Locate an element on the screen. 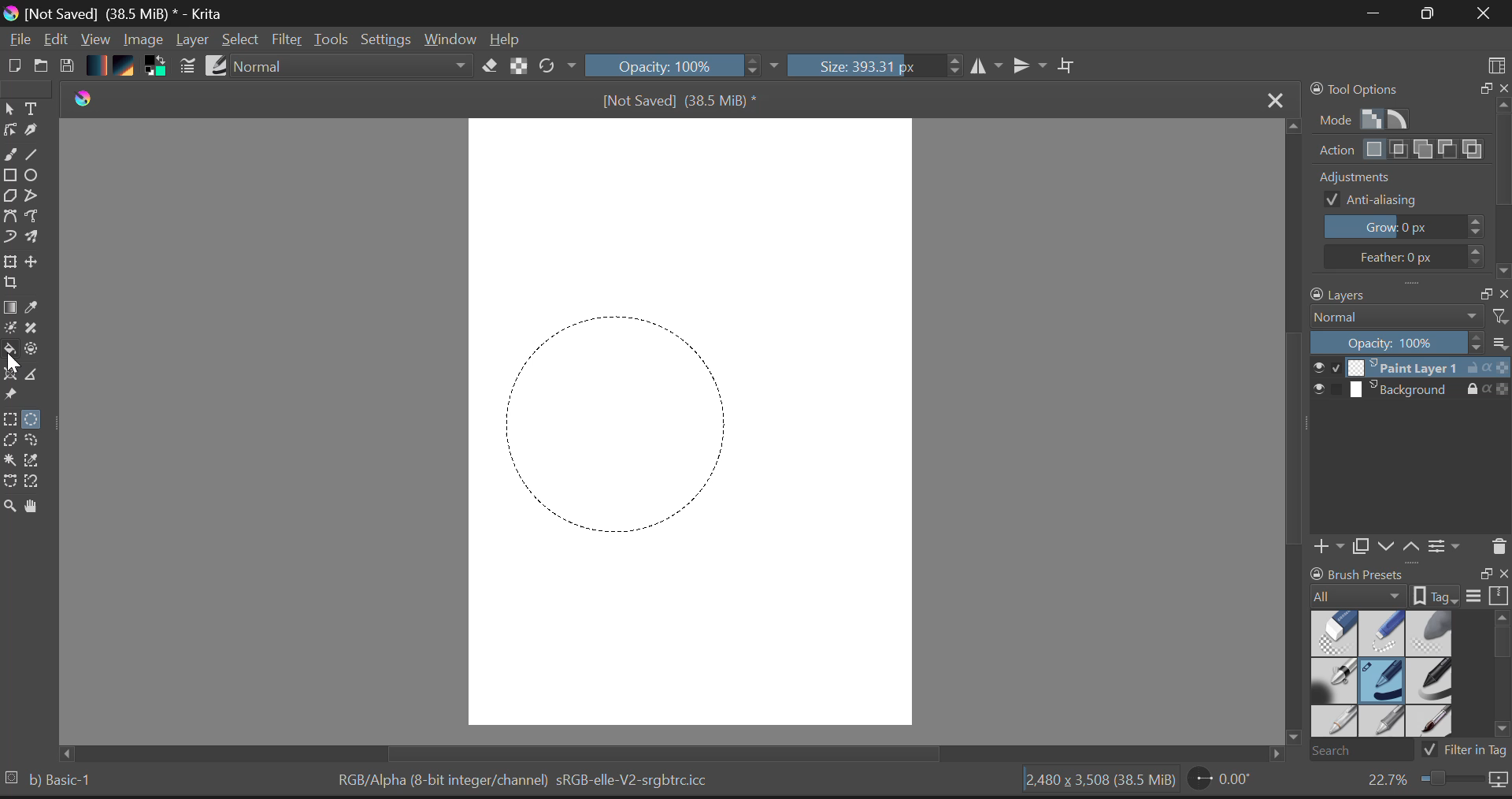  Layer is located at coordinates (192, 42).